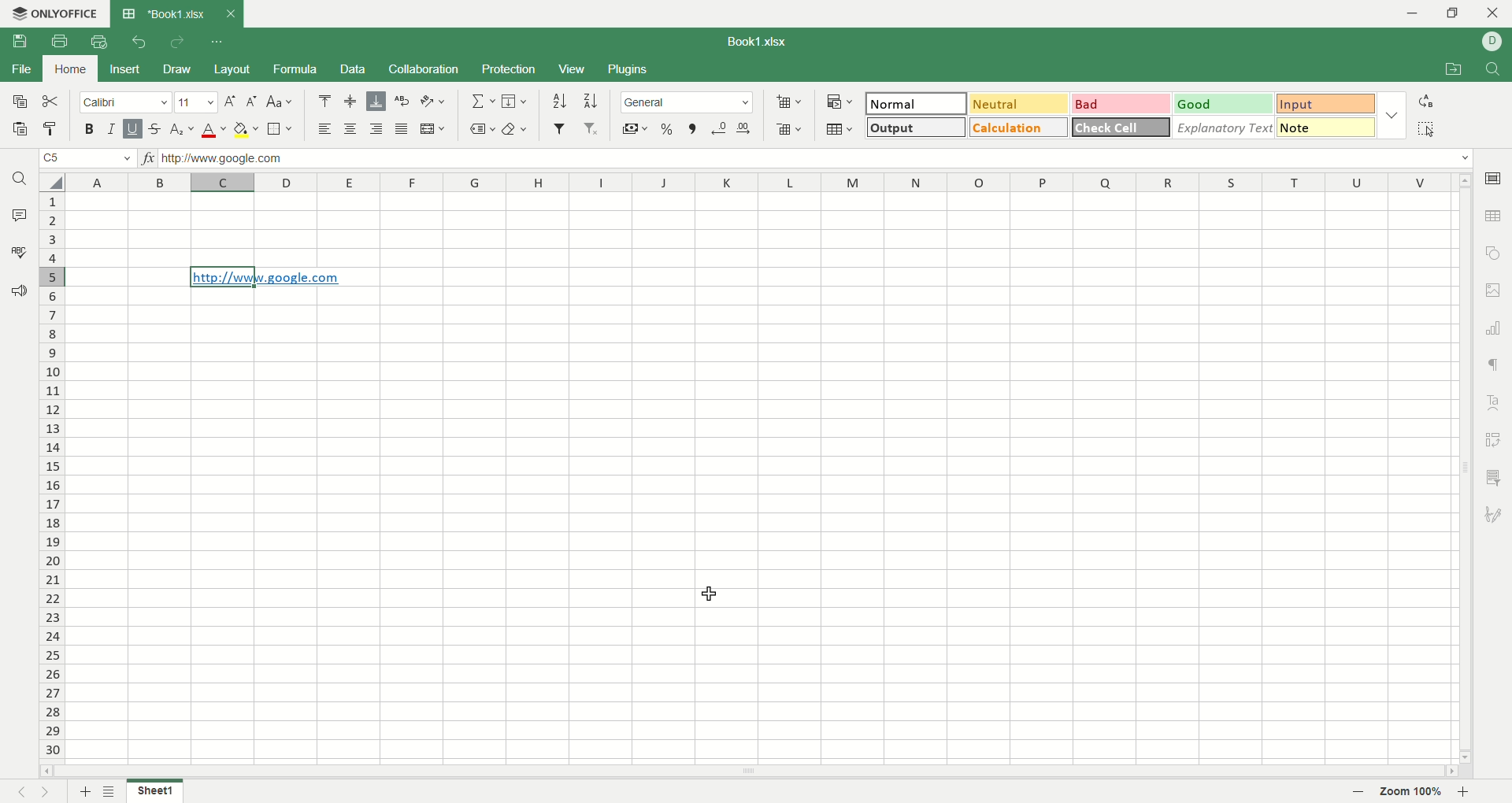 The height and width of the screenshot is (803, 1512). Describe the element at coordinates (18, 105) in the screenshot. I see `copy` at that location.